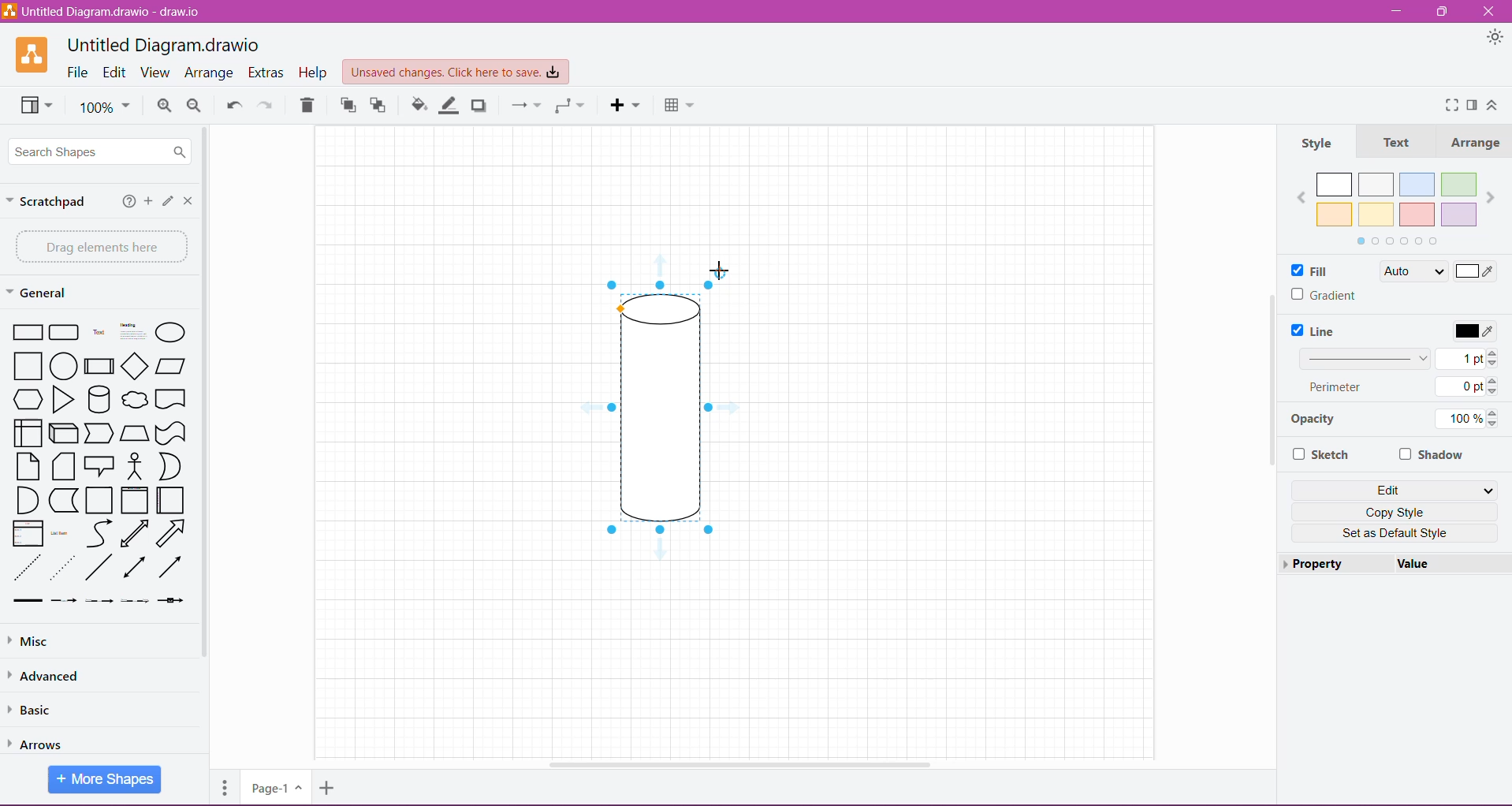 This screenshot has width=1512, height=806. Describe the element at coordinates (626, 106) in the screenshot. I see `` at that location.